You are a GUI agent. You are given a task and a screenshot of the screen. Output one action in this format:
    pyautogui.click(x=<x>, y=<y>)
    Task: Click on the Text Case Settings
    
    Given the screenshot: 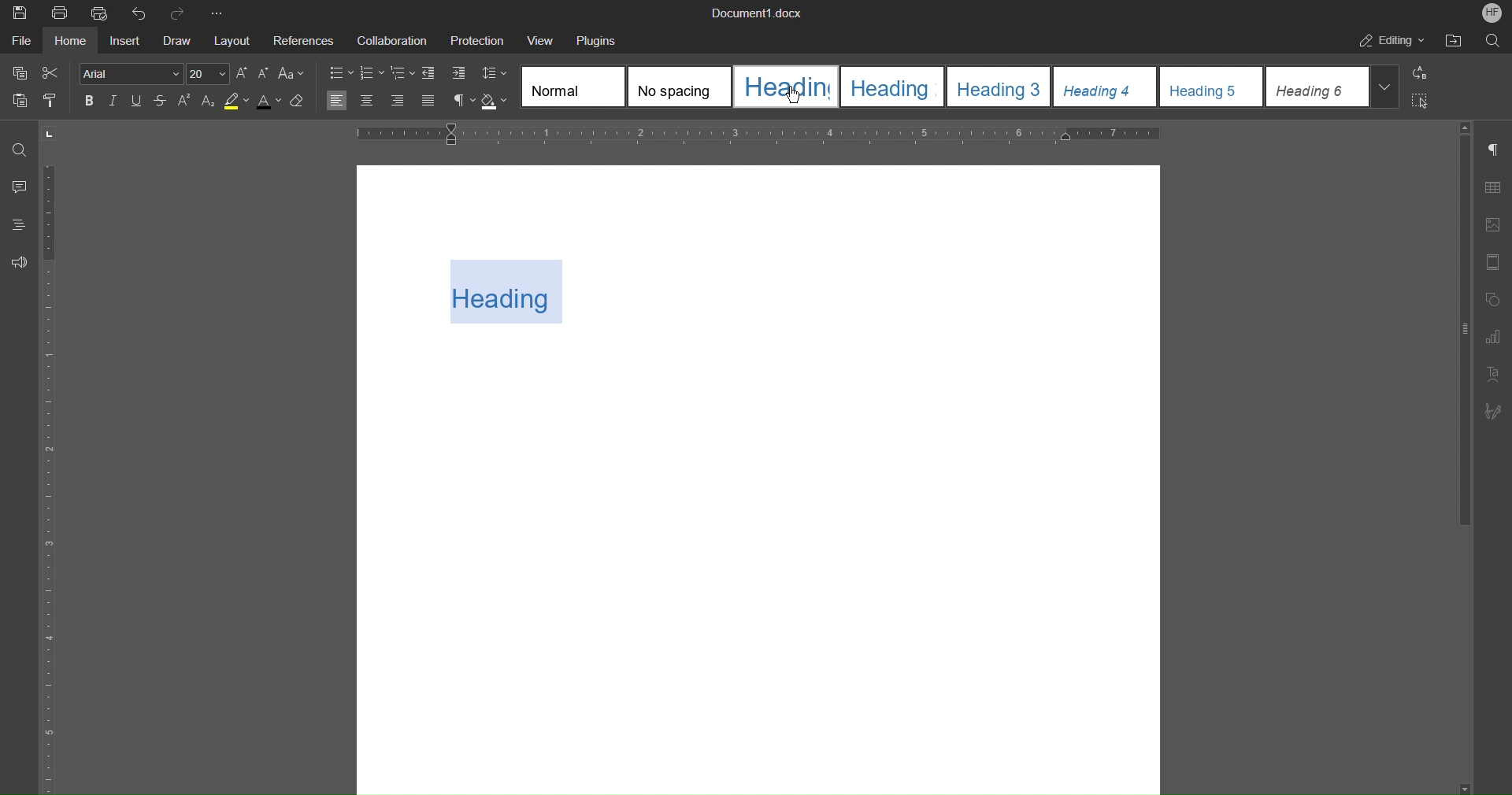 What is the action you would take?
    pyautogui.click(x=291, y=74)
    